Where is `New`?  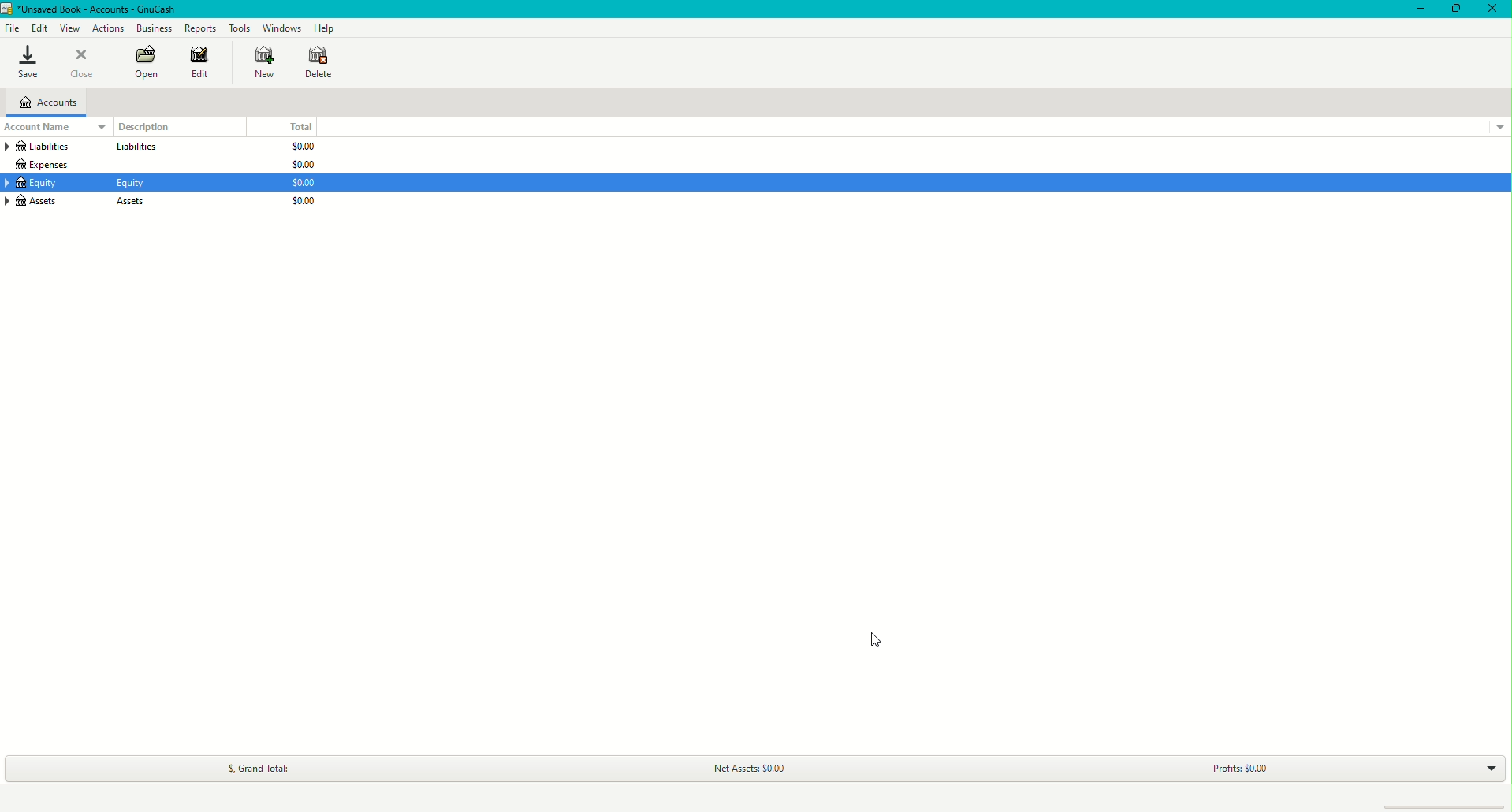
New is located at coordinates (261, 63).